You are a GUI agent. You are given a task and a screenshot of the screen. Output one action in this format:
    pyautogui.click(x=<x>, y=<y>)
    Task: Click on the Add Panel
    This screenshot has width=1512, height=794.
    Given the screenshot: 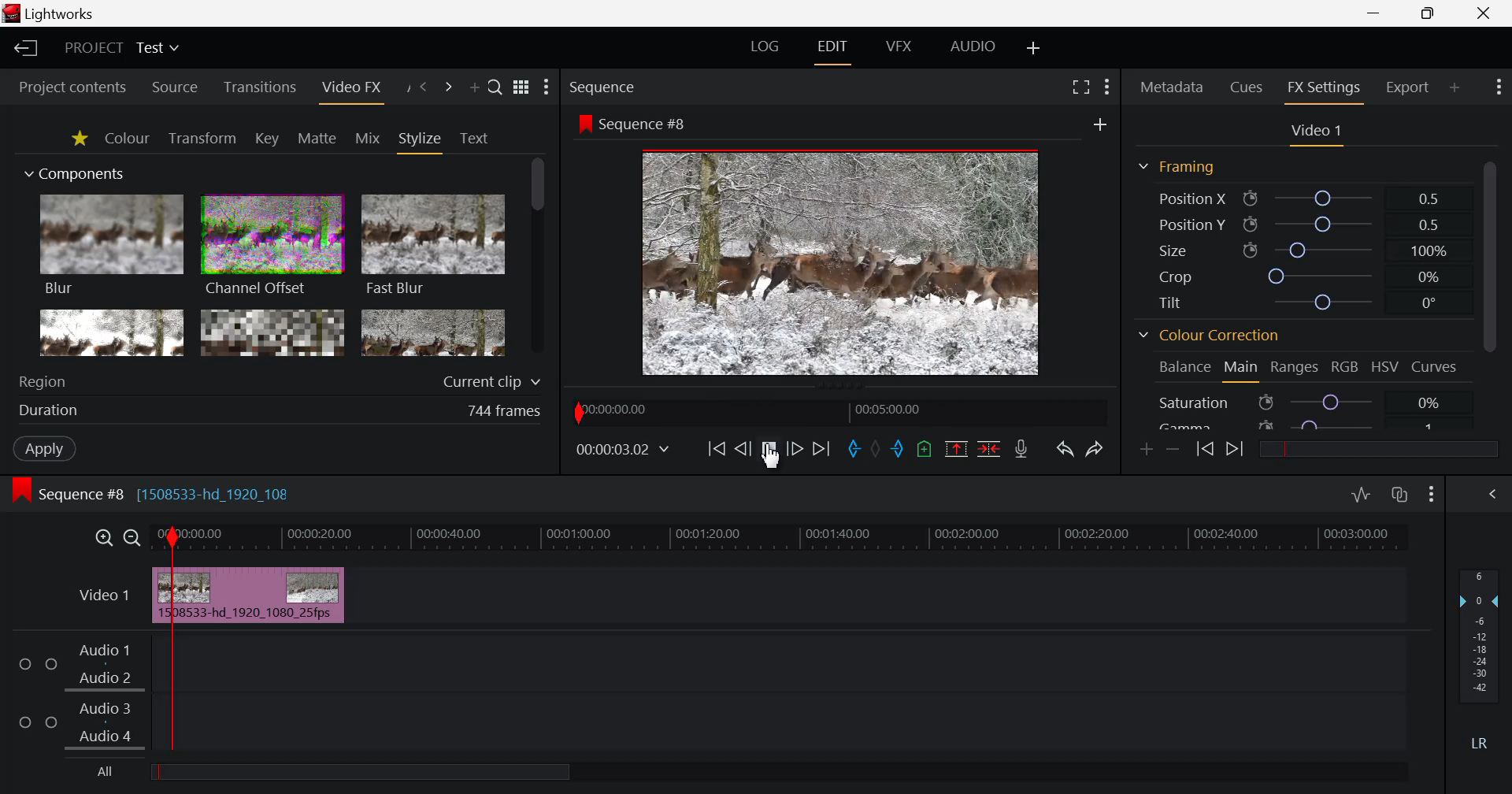 What is the action you would take?
    pyautogui.click(x=474, y=87)
    